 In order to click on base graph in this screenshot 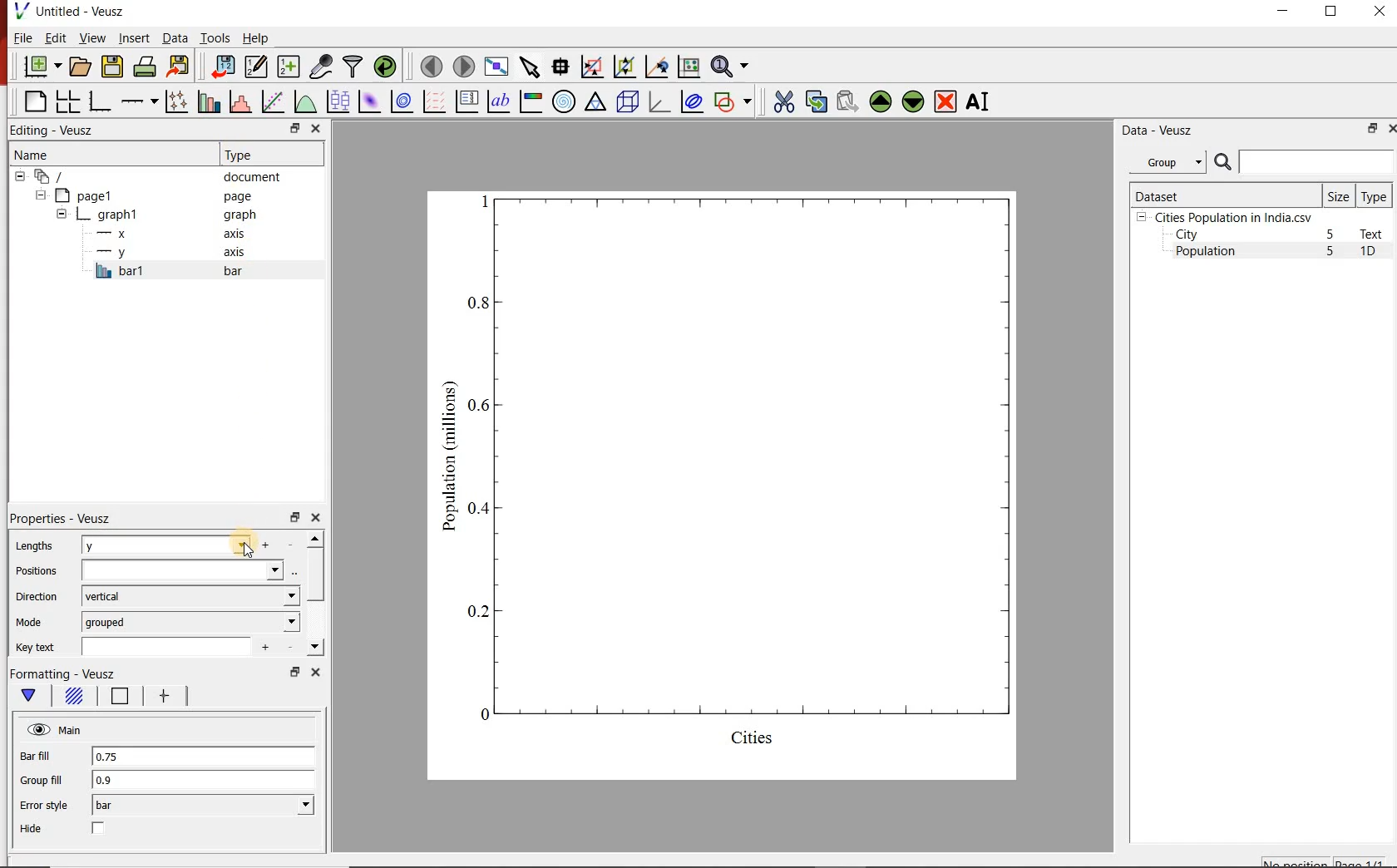, I will do `click(98, 101)`.